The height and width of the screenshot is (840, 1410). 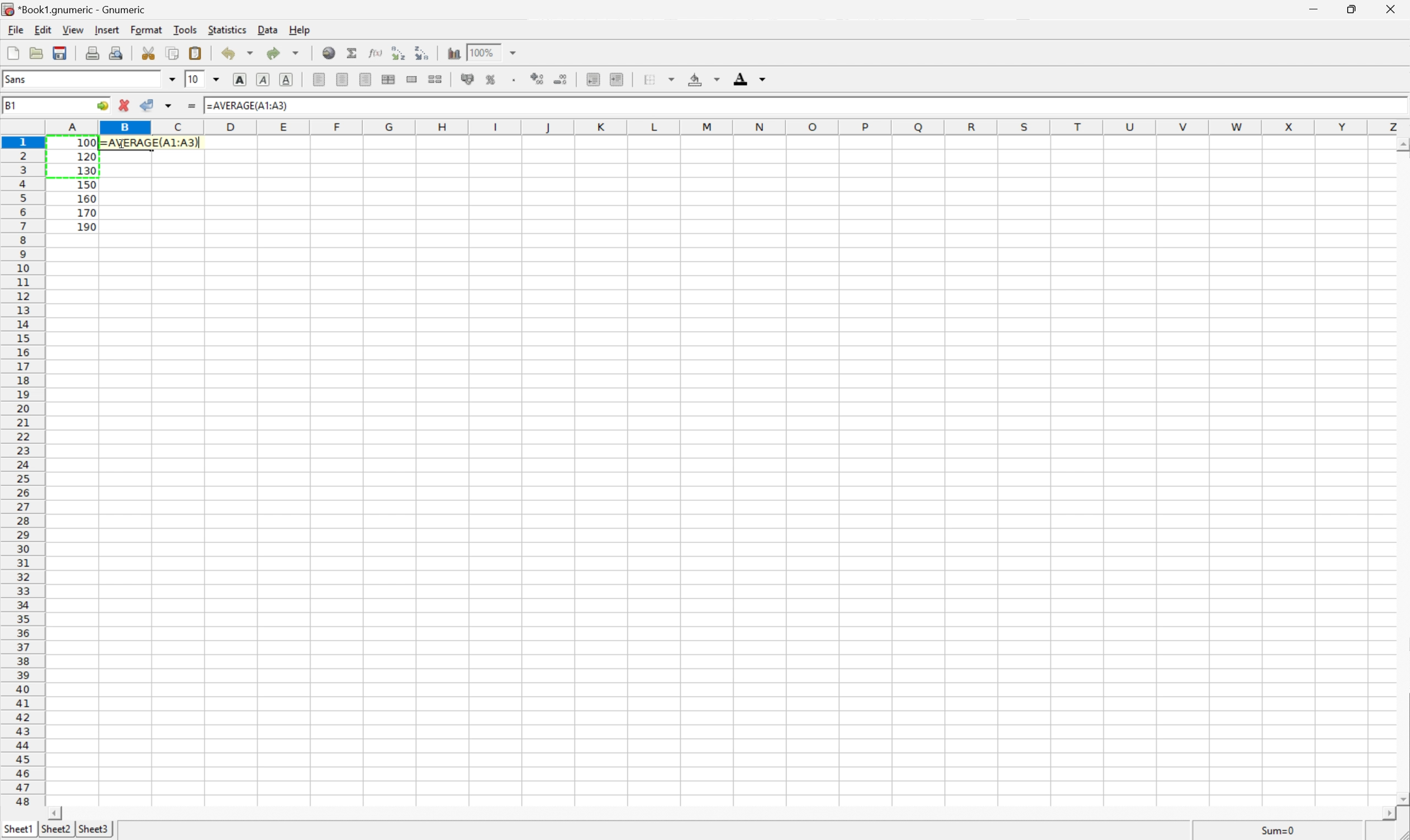 What do you see at coordinates (11, 53) in the screenshot?
I see `Create a new workbook` at bounding box center [11, 53].